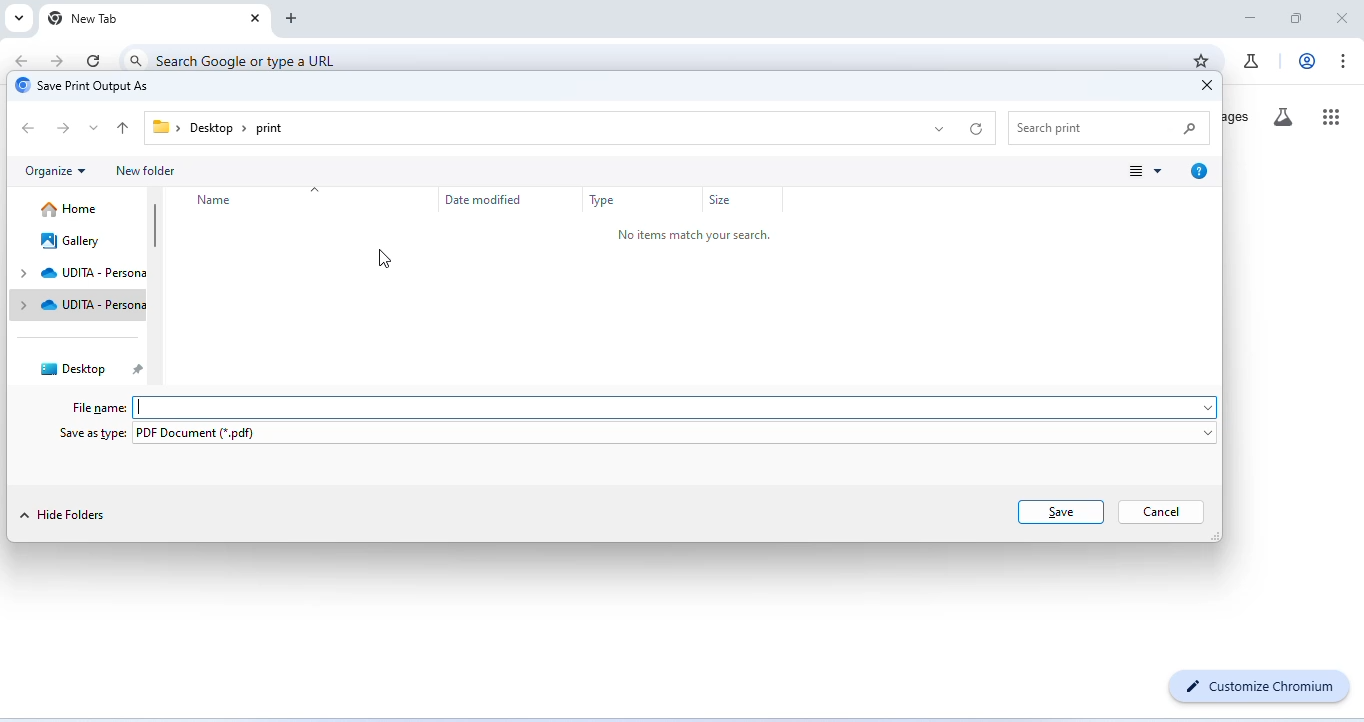 The width and height of the screenshot is (1364, 722). I want to click on space for typing file name, so click(685, 408).